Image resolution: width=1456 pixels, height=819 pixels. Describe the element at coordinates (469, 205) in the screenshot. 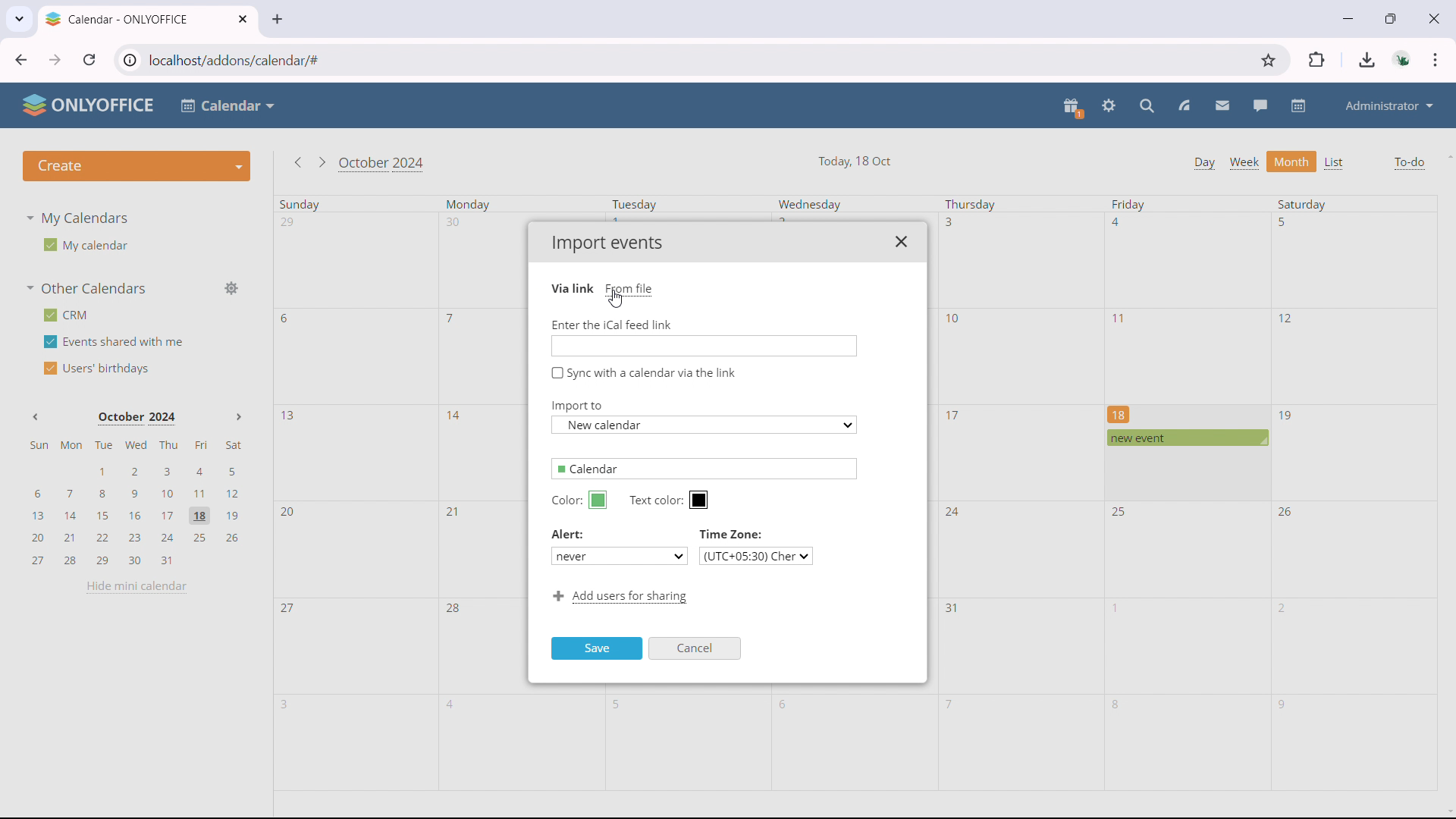

I see `Monday` at that location.